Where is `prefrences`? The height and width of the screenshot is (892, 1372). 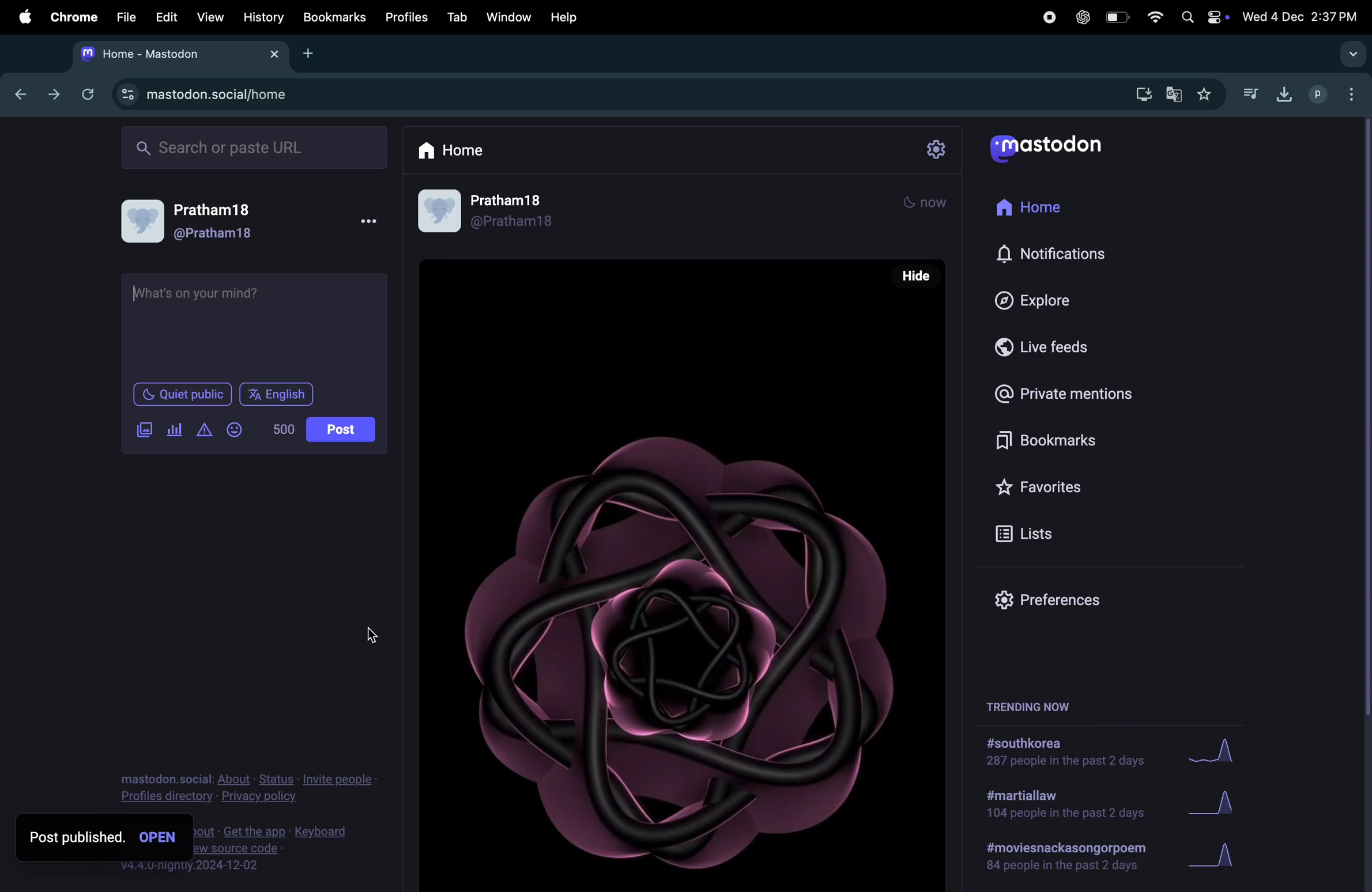
prefrences is located at coordinates (1051, 599).